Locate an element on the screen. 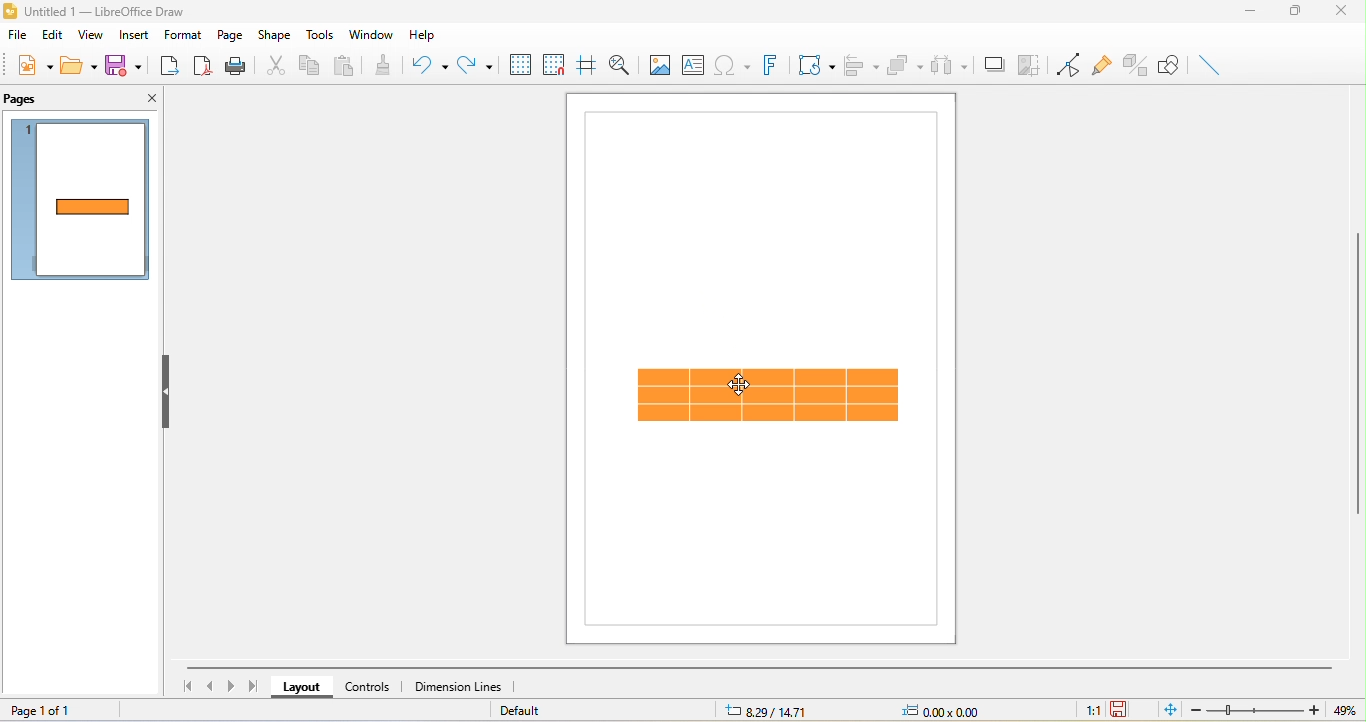  clone formatting is located at coordinates (388, 67).